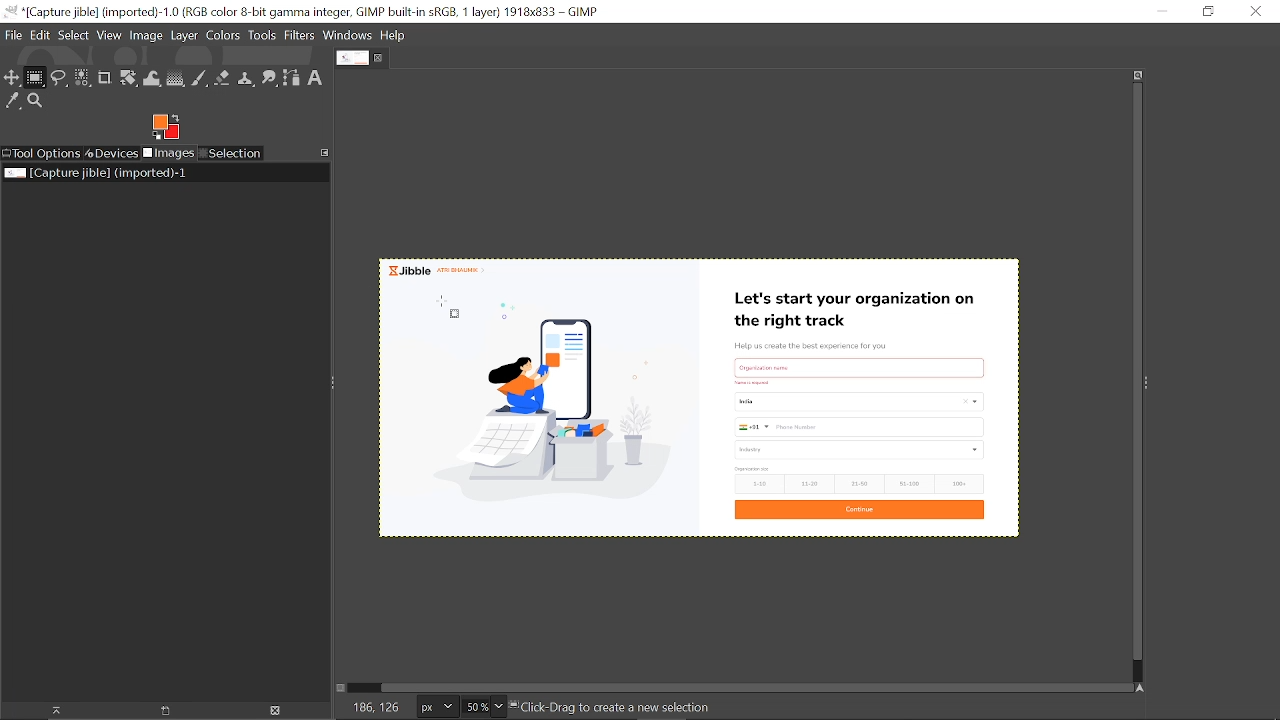 Image resolution: width=1280 pixels, height=720 pixels. Describe the element at coordinates (110, 35) in the screenshot. I see `View` at that location.